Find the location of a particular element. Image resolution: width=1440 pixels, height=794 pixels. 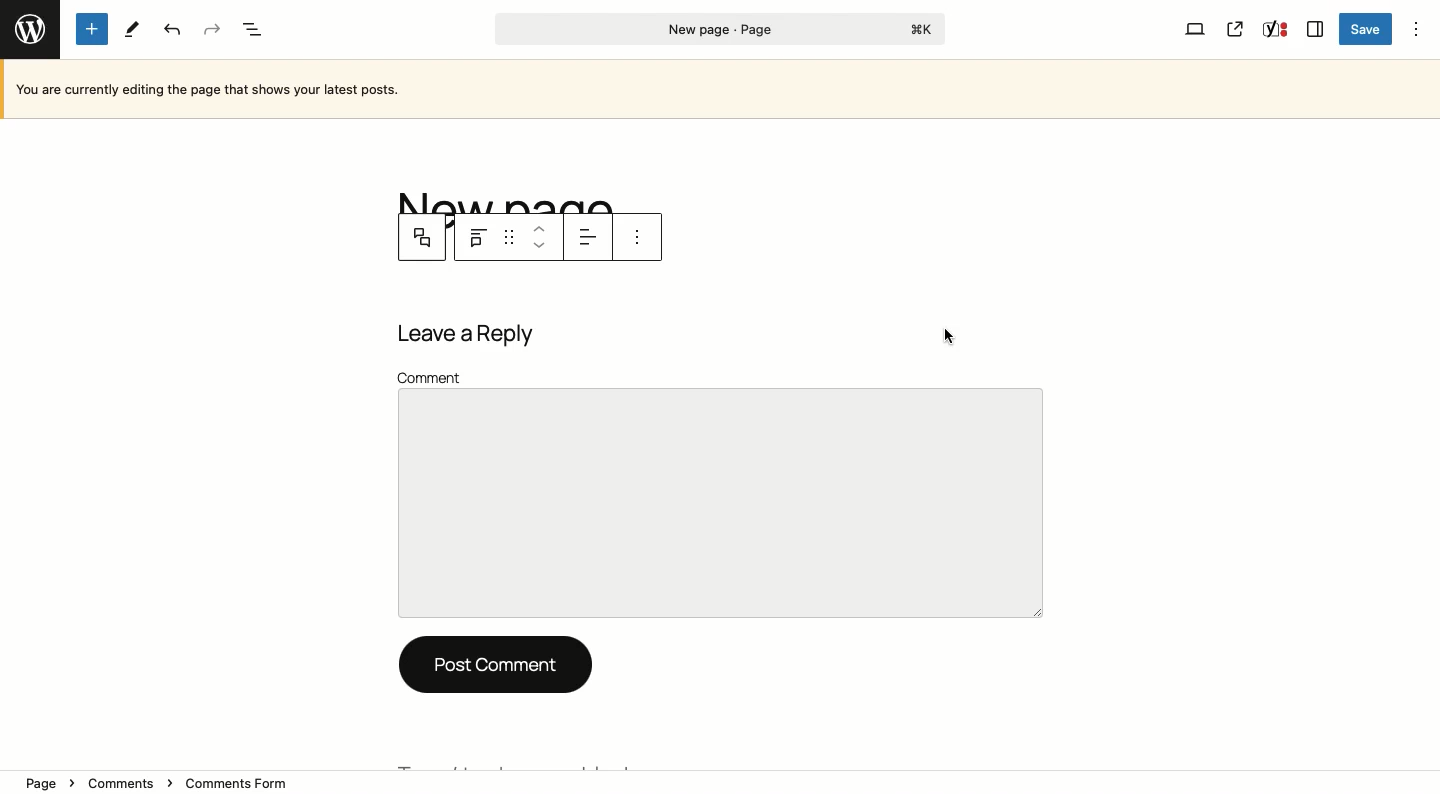

Save is located at coordinates (1365, 29).